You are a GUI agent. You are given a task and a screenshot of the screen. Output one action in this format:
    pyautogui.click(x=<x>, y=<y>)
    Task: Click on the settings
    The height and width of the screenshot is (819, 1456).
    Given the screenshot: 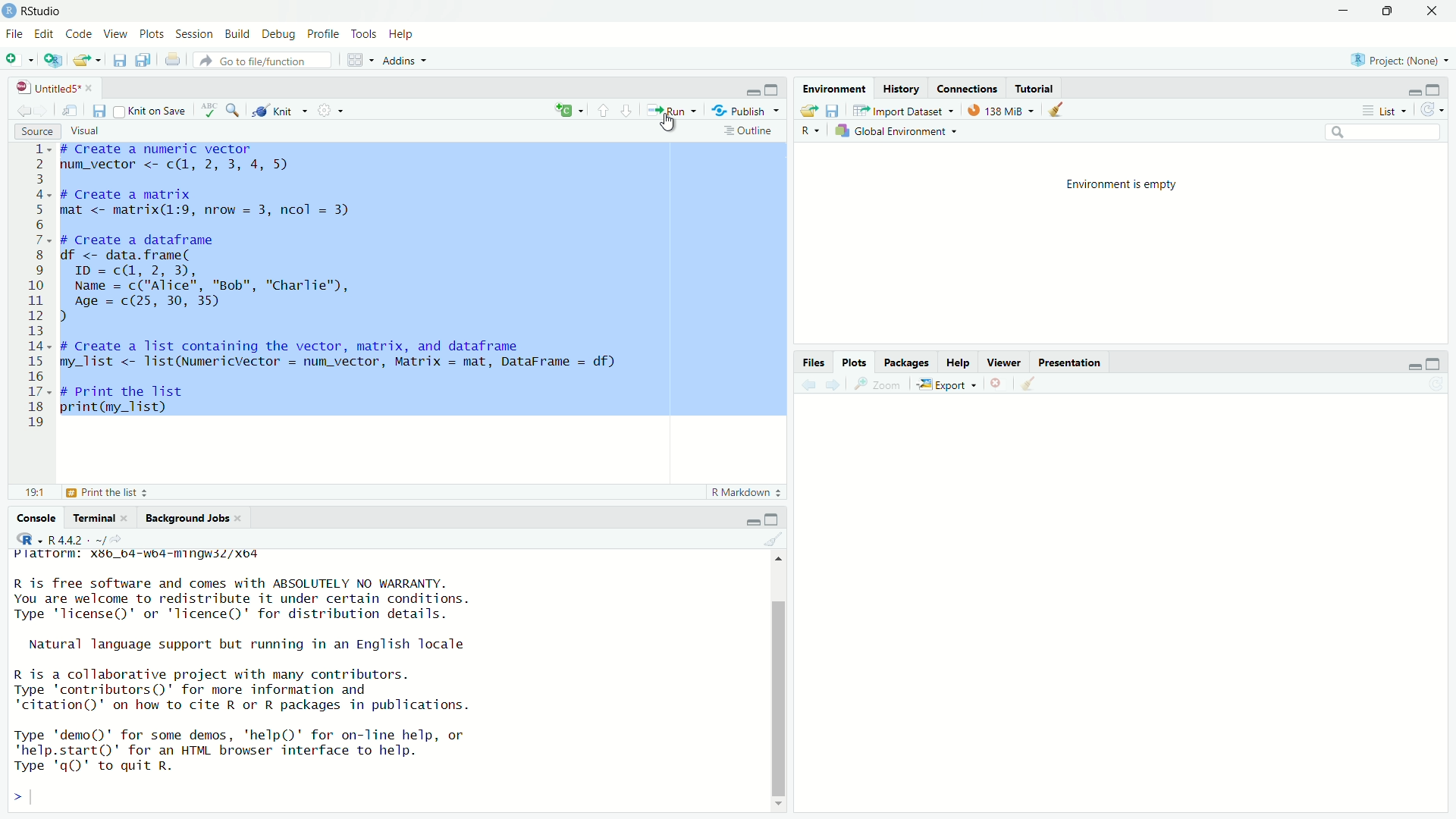 What is the action you would take?
    pyautogui.click(x=333, y=112)
    